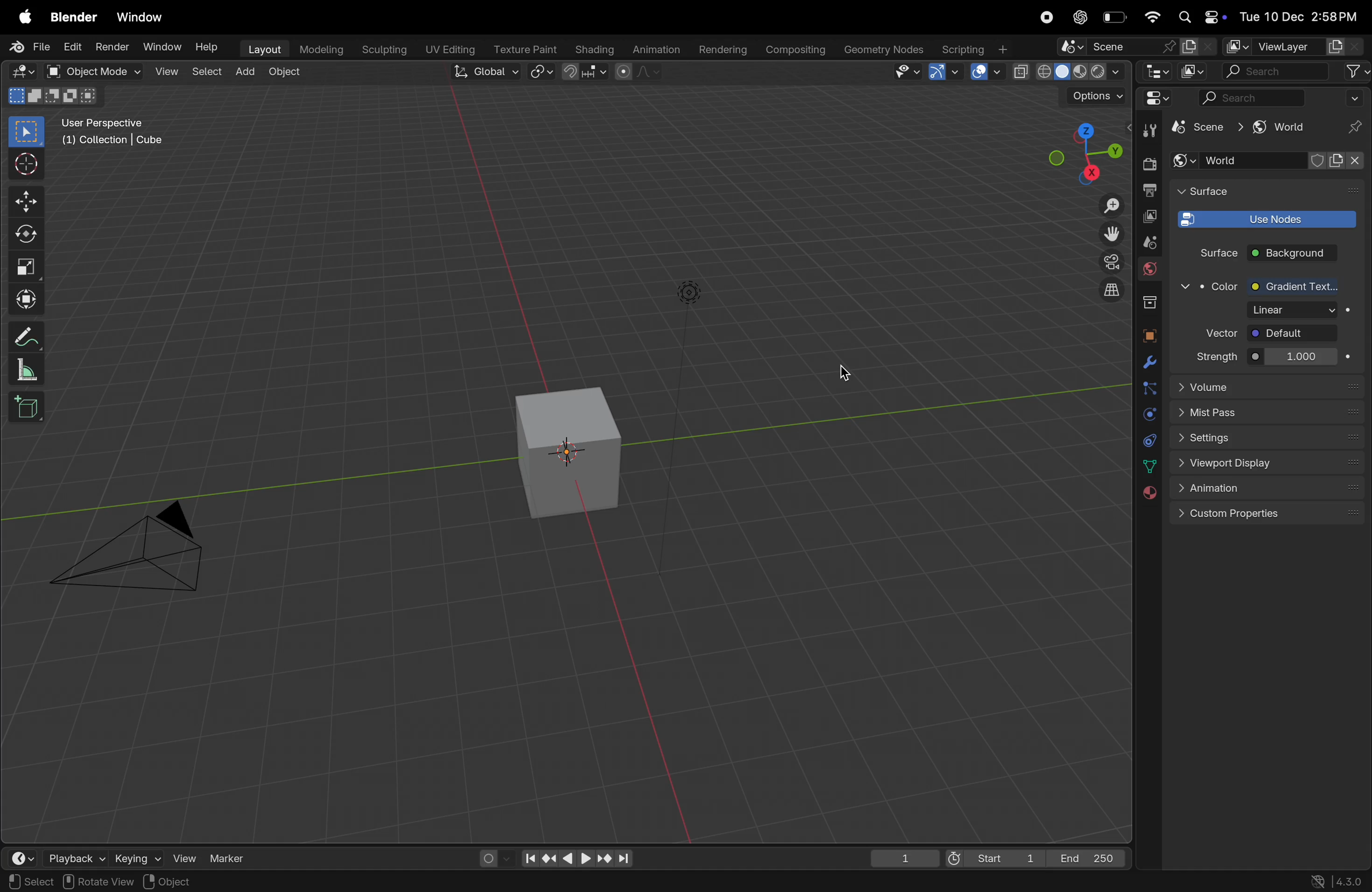  What do you see at coordinates (71, 47) in the screenshot?
I see `Edit` at bounding box center [71, 47].